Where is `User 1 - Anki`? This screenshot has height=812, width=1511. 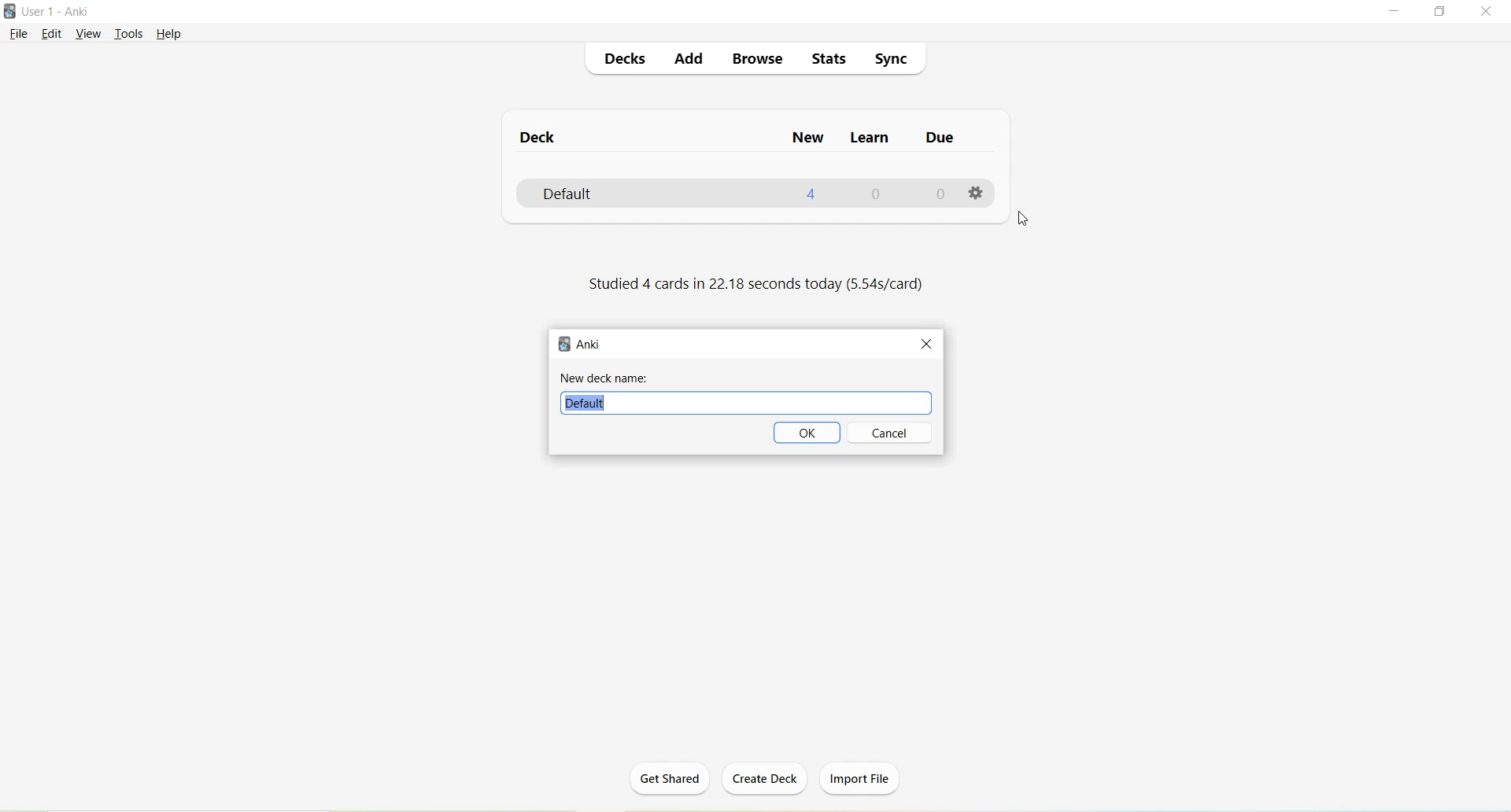 User 1 - Anki is located at coordinates (57, 11).